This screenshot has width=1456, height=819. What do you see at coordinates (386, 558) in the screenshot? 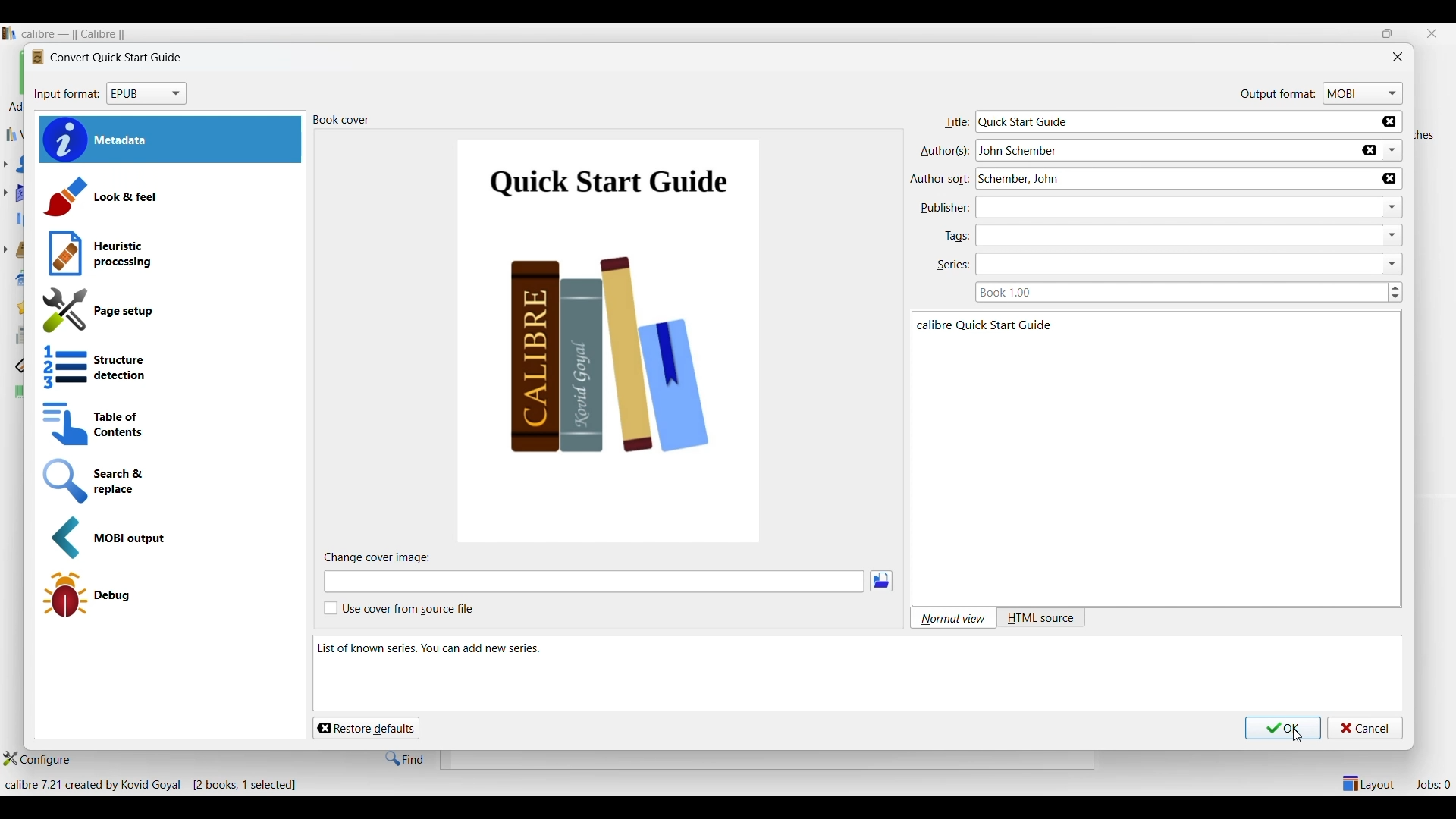
I see `change cover image` at bounding box center [386, 558].